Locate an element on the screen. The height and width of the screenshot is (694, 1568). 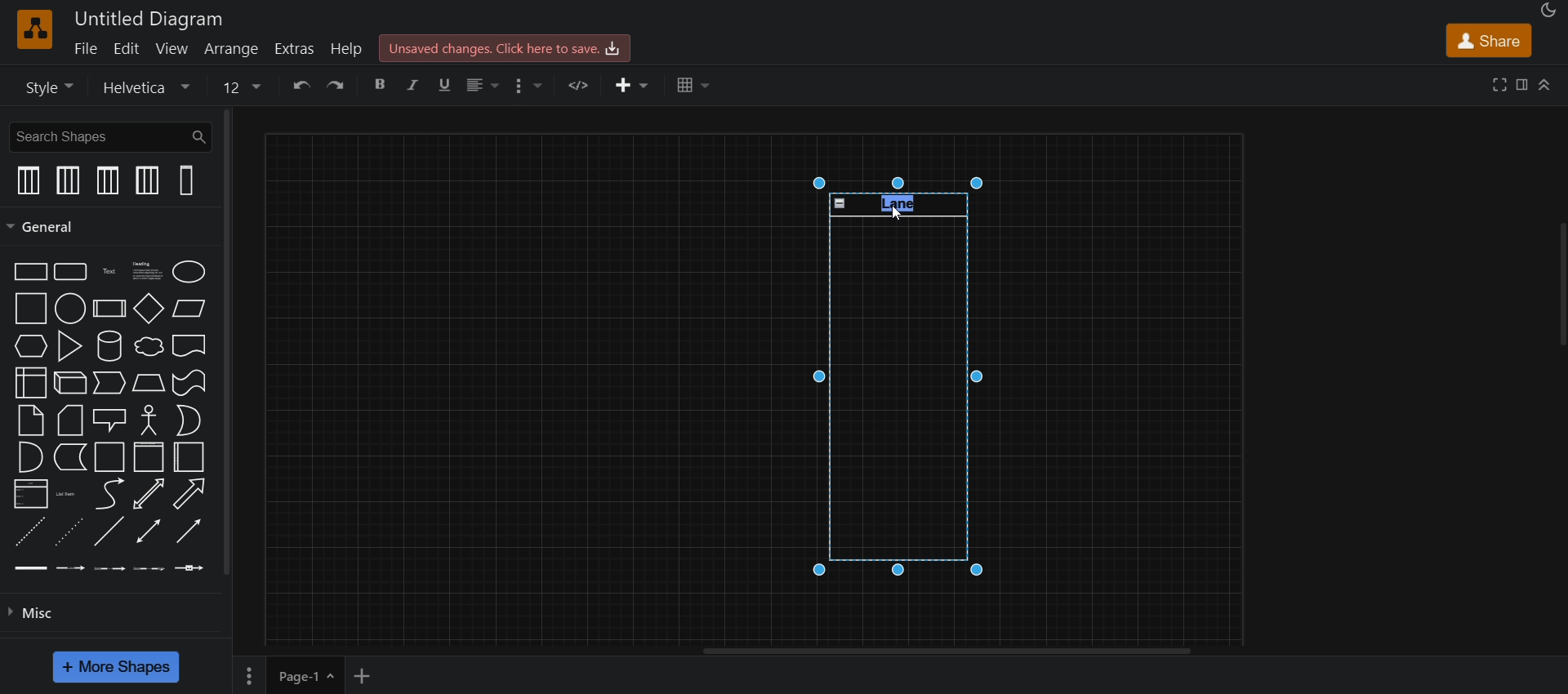
arrange is located at coordinates (229, 47).